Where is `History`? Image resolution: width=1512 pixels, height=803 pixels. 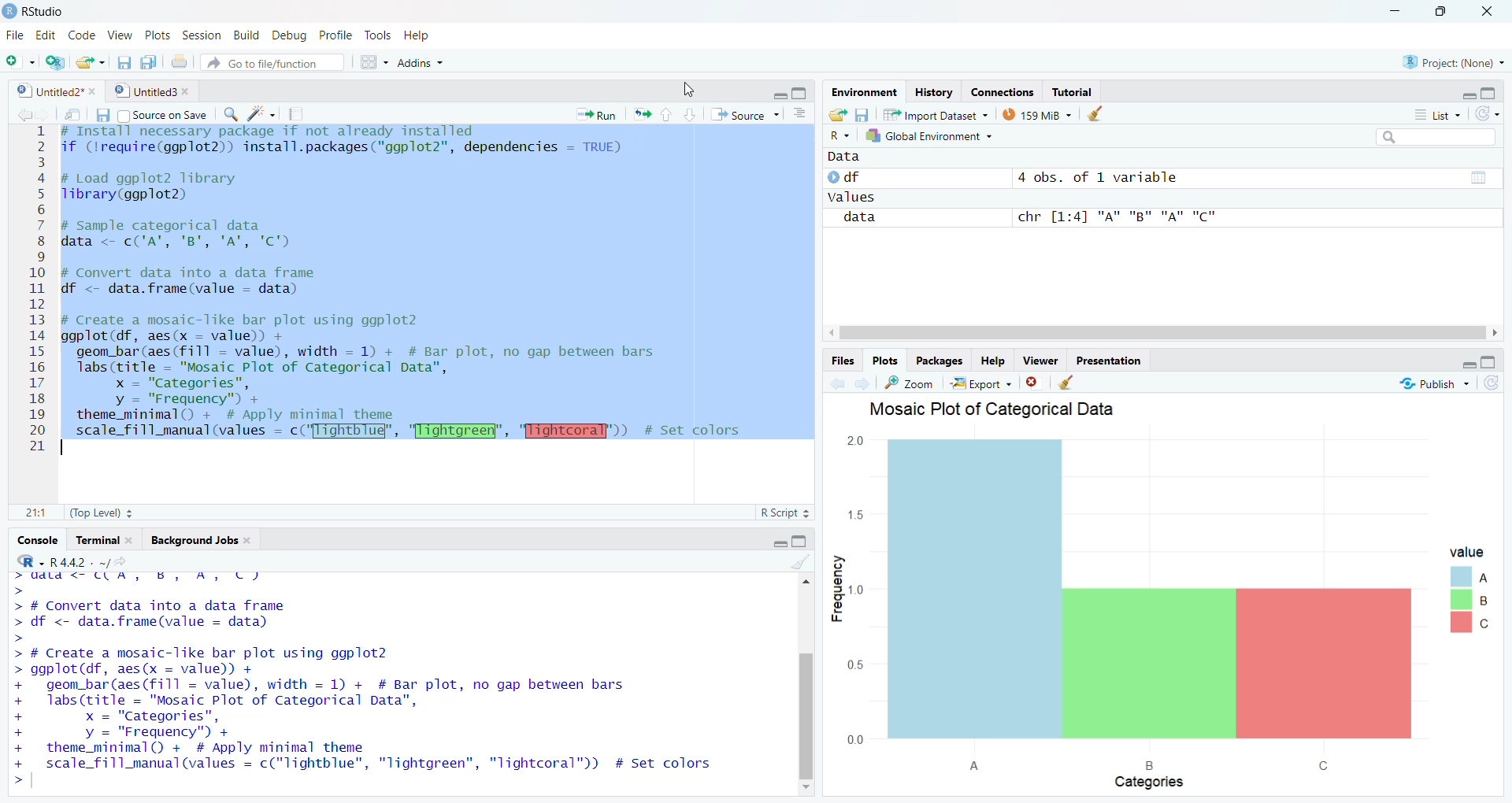
History is located at coordinates (934, 92).